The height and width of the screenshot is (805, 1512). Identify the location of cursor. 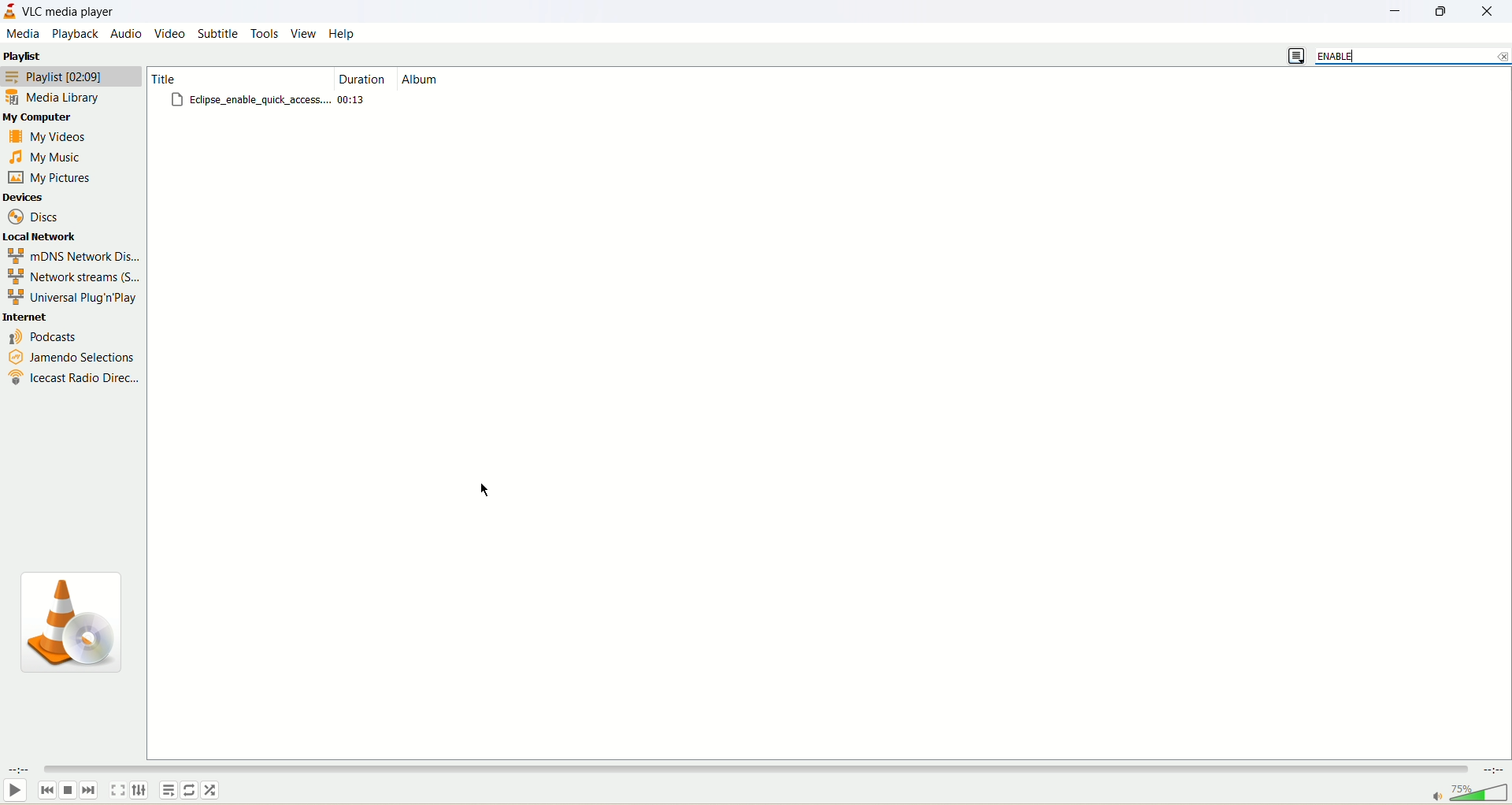
(487, 489).